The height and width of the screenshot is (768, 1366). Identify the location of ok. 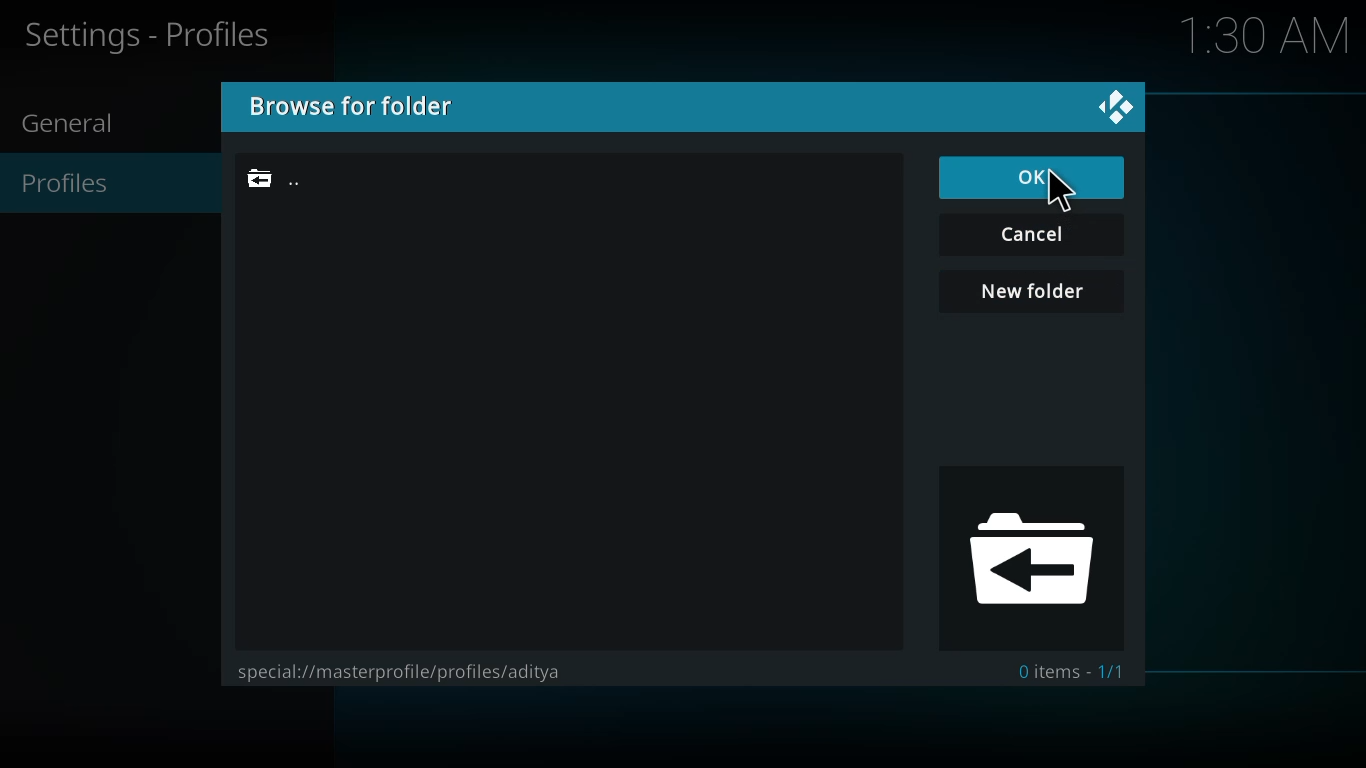
(1035, 177).